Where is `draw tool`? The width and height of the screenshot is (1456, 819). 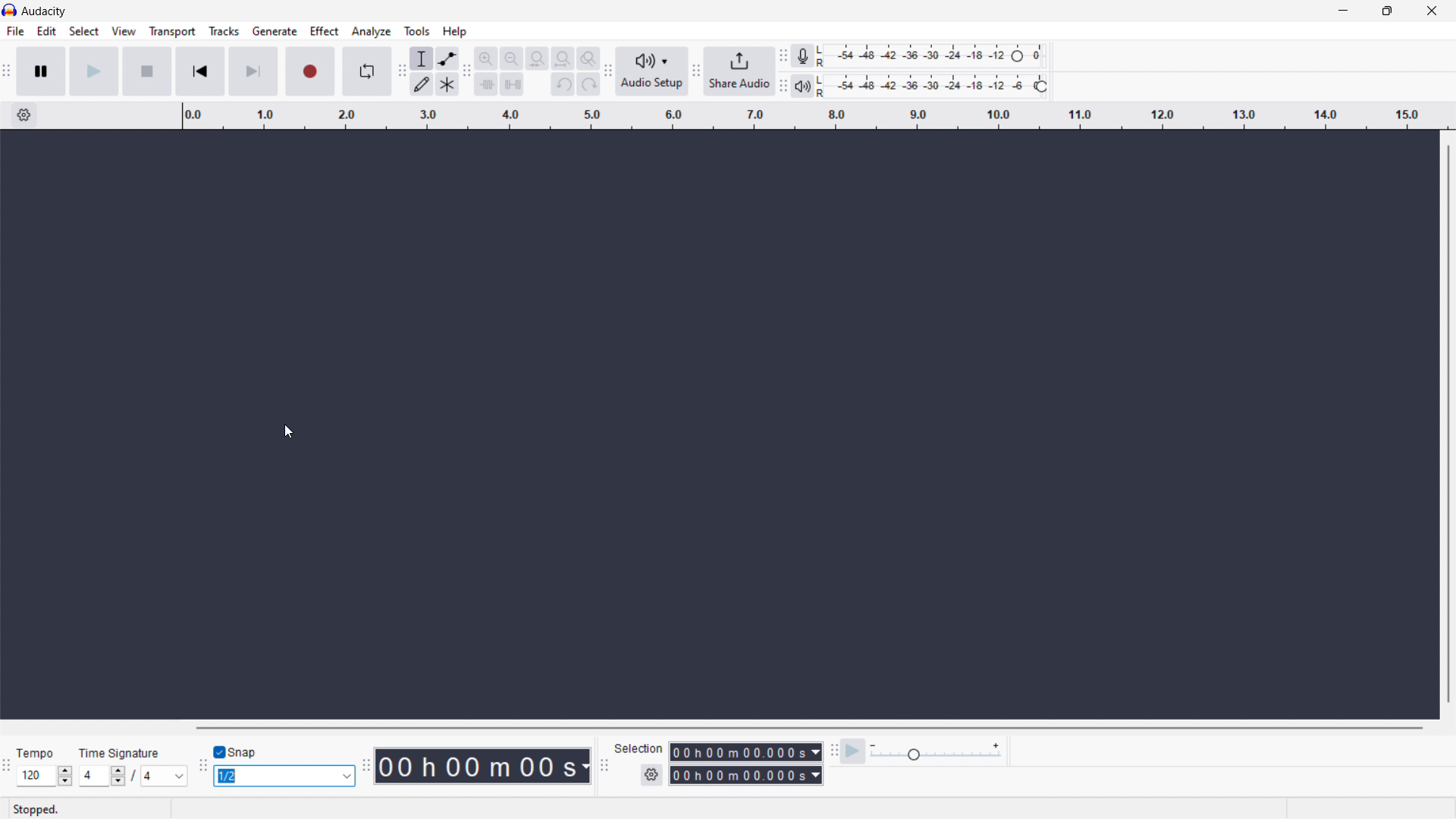 draw tool is located at coordinates (421, 85).